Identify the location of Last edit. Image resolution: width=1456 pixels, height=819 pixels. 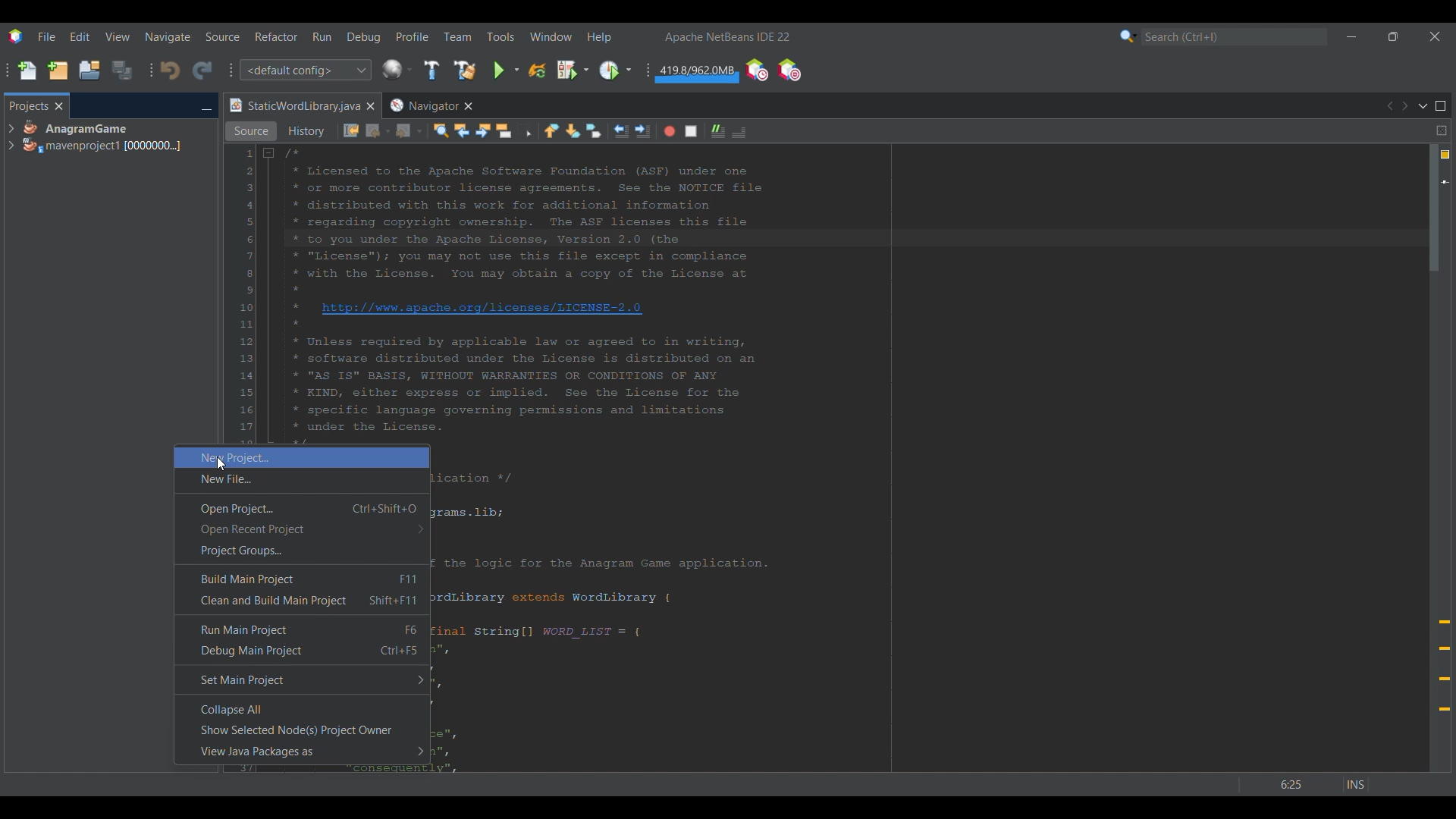
(351, 130).